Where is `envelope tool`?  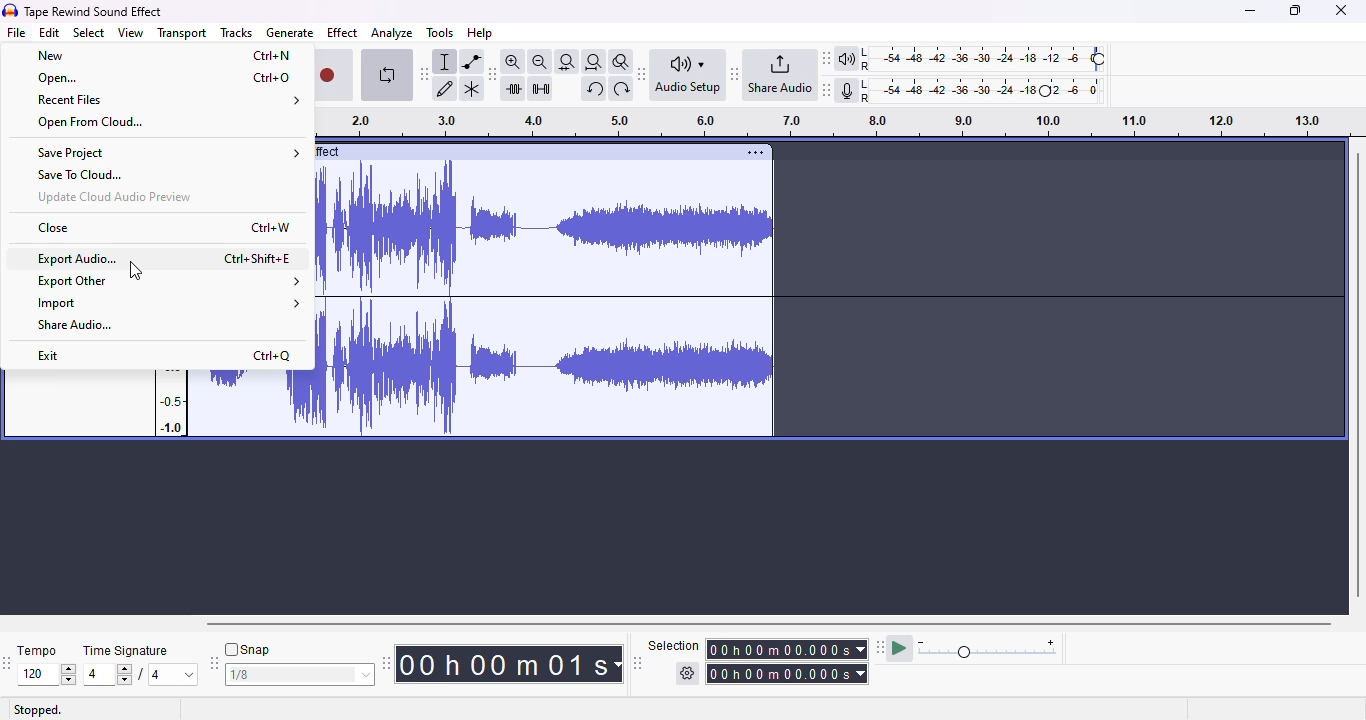 envelope tool is located at coordinates (473, 61).